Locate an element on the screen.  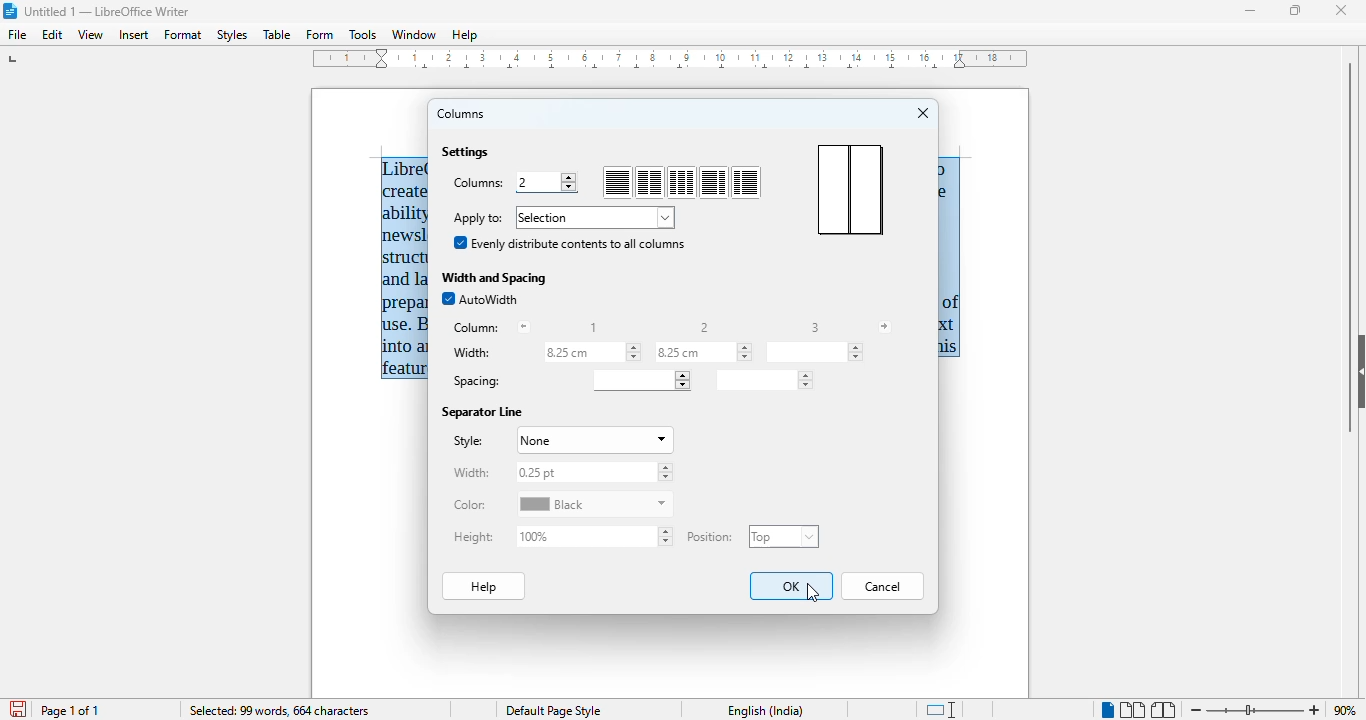
color:  is located at coordinates (470, 505).